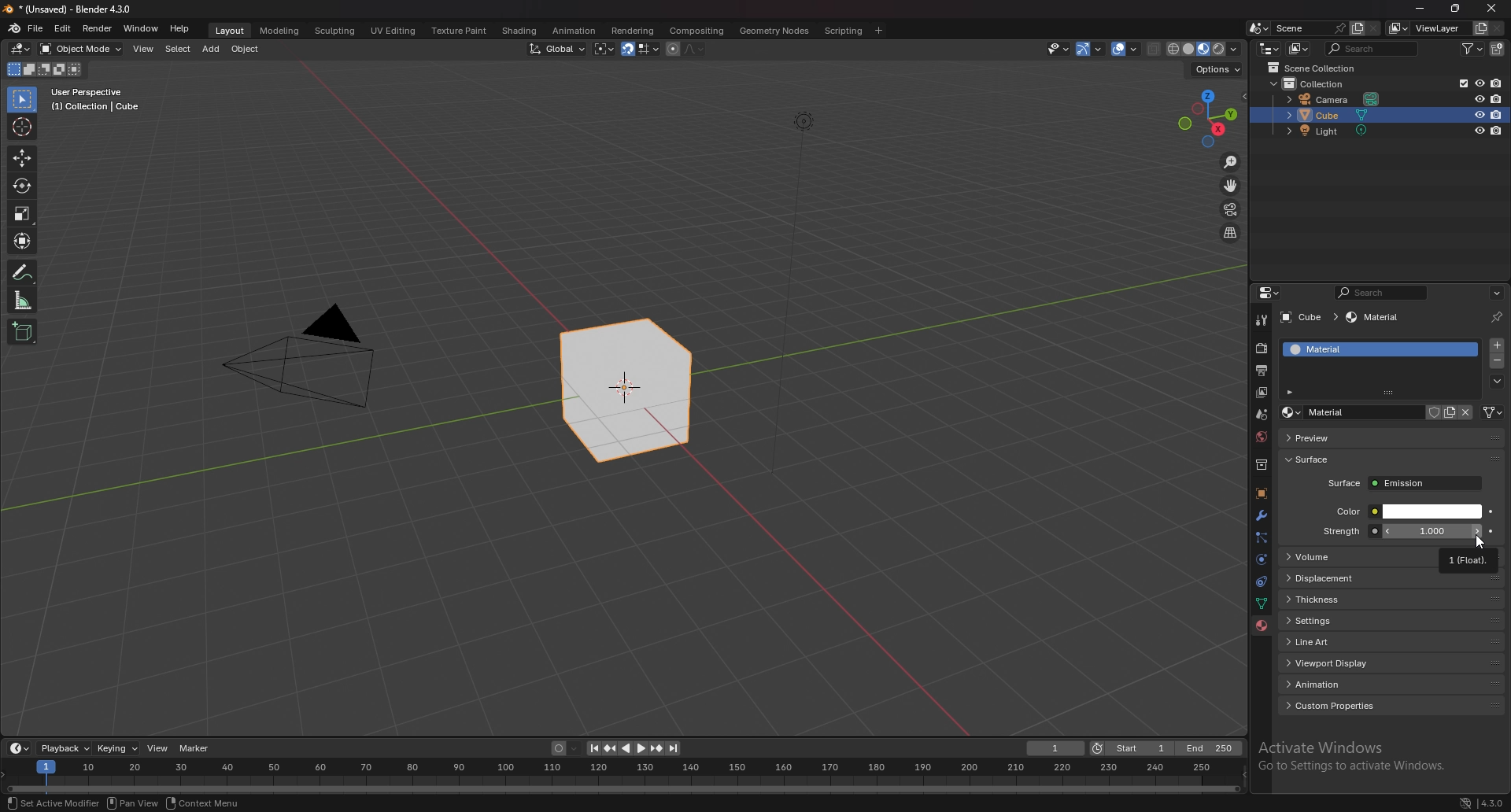 This screenshot has width=1511, height=812. Describe the element at coordinates (279, 30) in the screenshot. I see `modeling` at that location.